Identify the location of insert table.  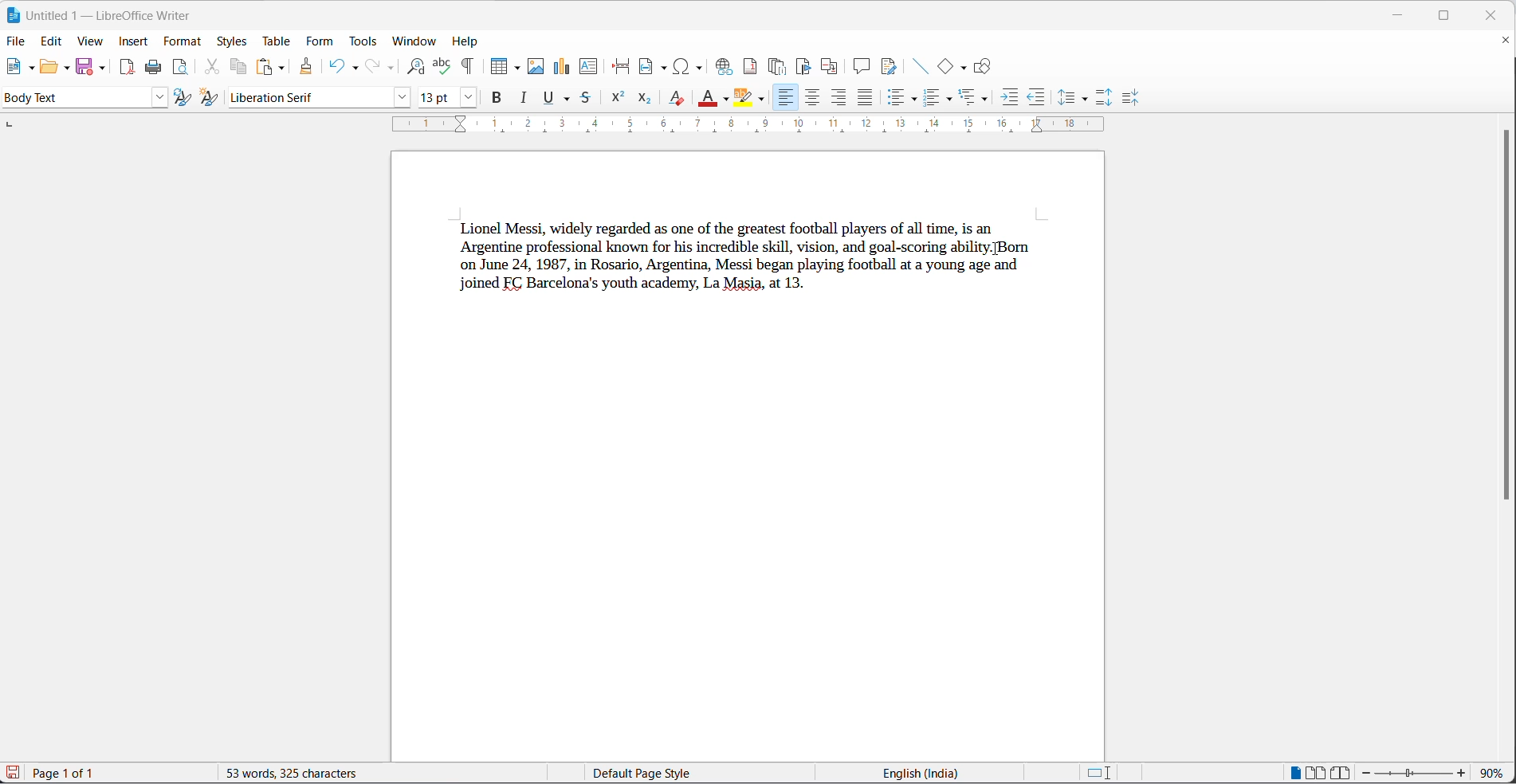
(500, 66).